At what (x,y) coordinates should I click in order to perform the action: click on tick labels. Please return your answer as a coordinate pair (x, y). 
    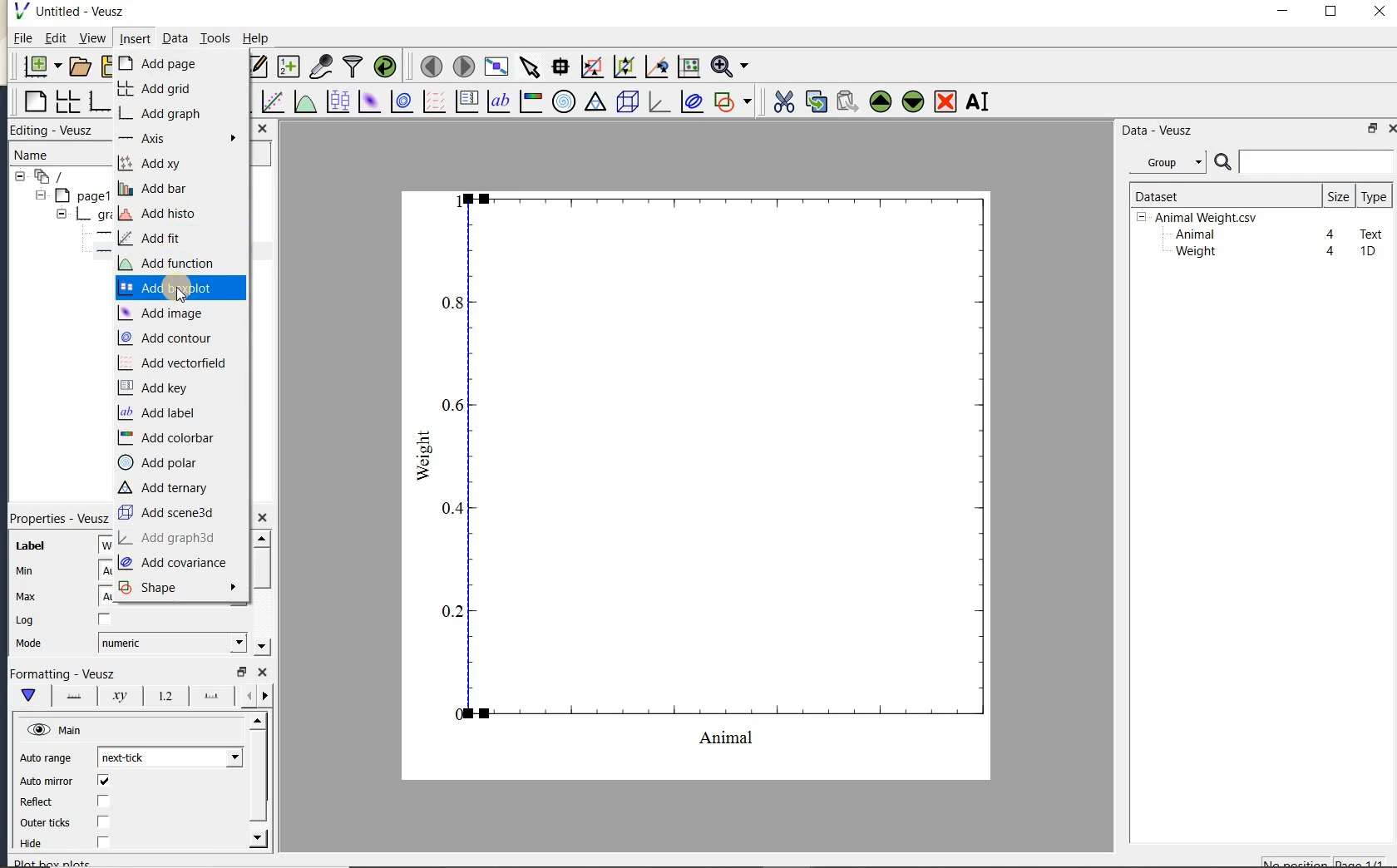
    Looking at the image, I should click on (162, 695).